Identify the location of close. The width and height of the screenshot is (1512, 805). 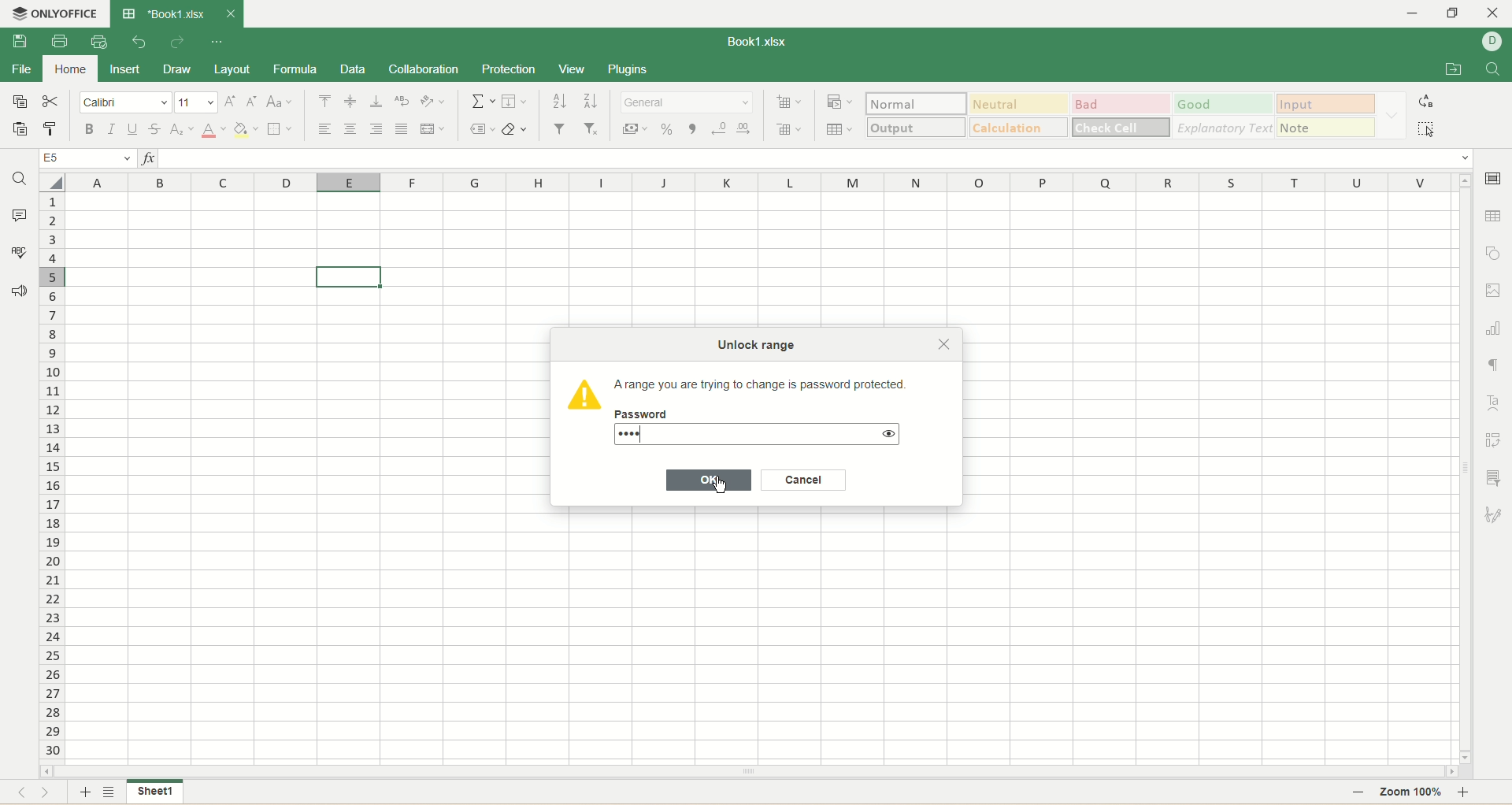
(1494, 13).